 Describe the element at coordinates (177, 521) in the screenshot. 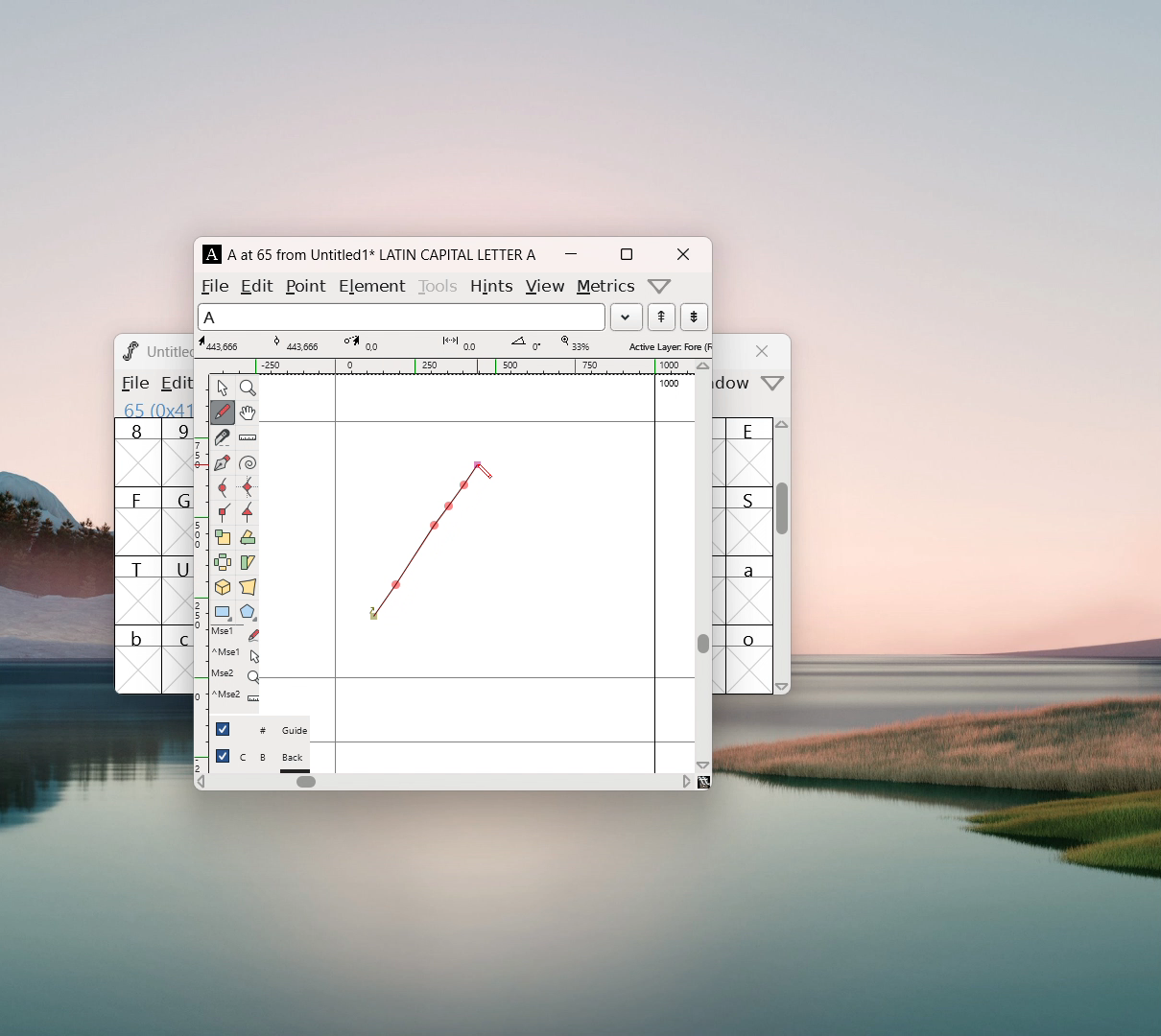

I see `G` at that location.